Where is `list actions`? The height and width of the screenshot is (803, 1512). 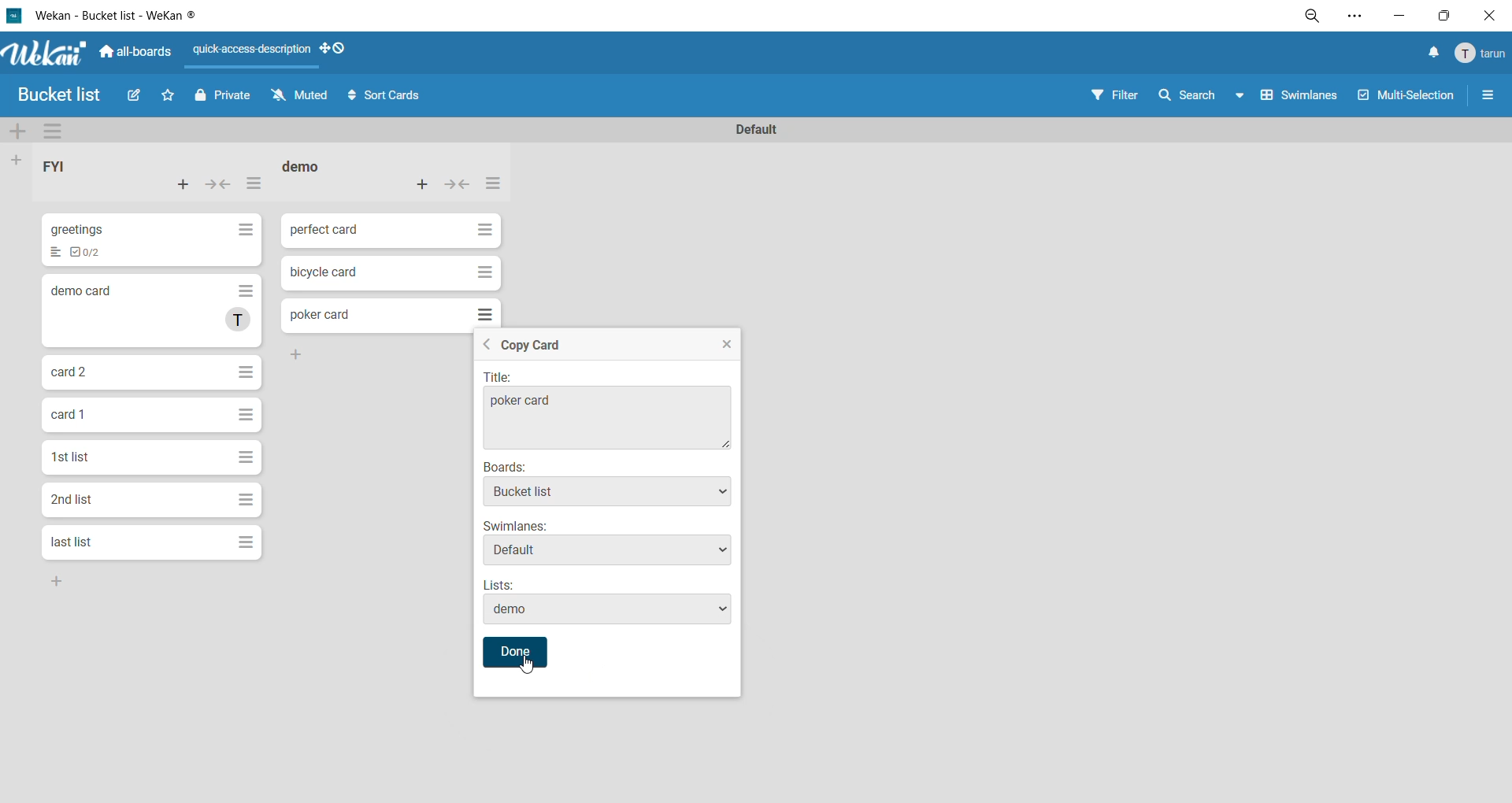 list actions is located at coordinates (491, 185).